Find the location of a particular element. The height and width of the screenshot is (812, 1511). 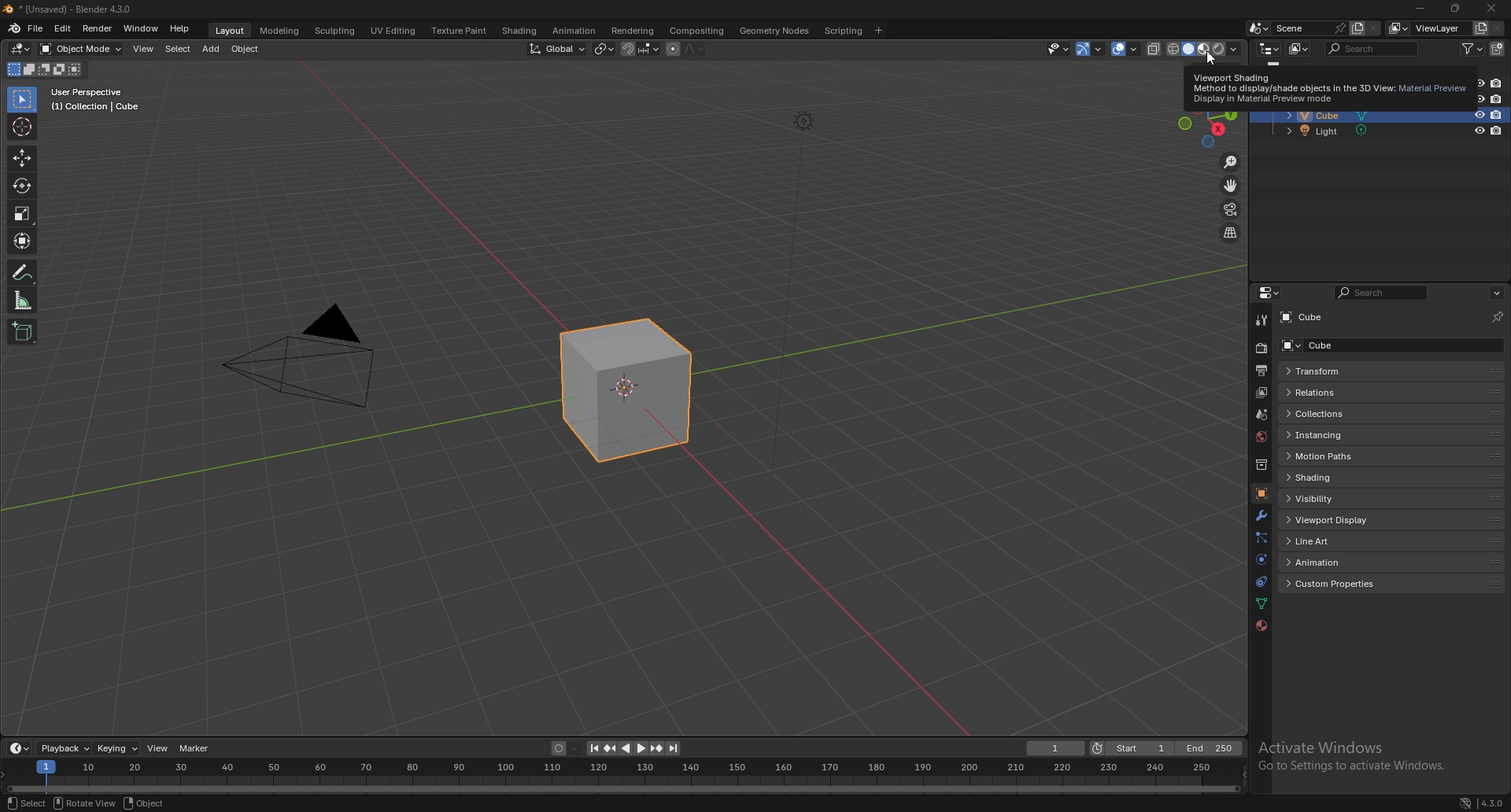

minimize is located at coordinates (1421, 8).